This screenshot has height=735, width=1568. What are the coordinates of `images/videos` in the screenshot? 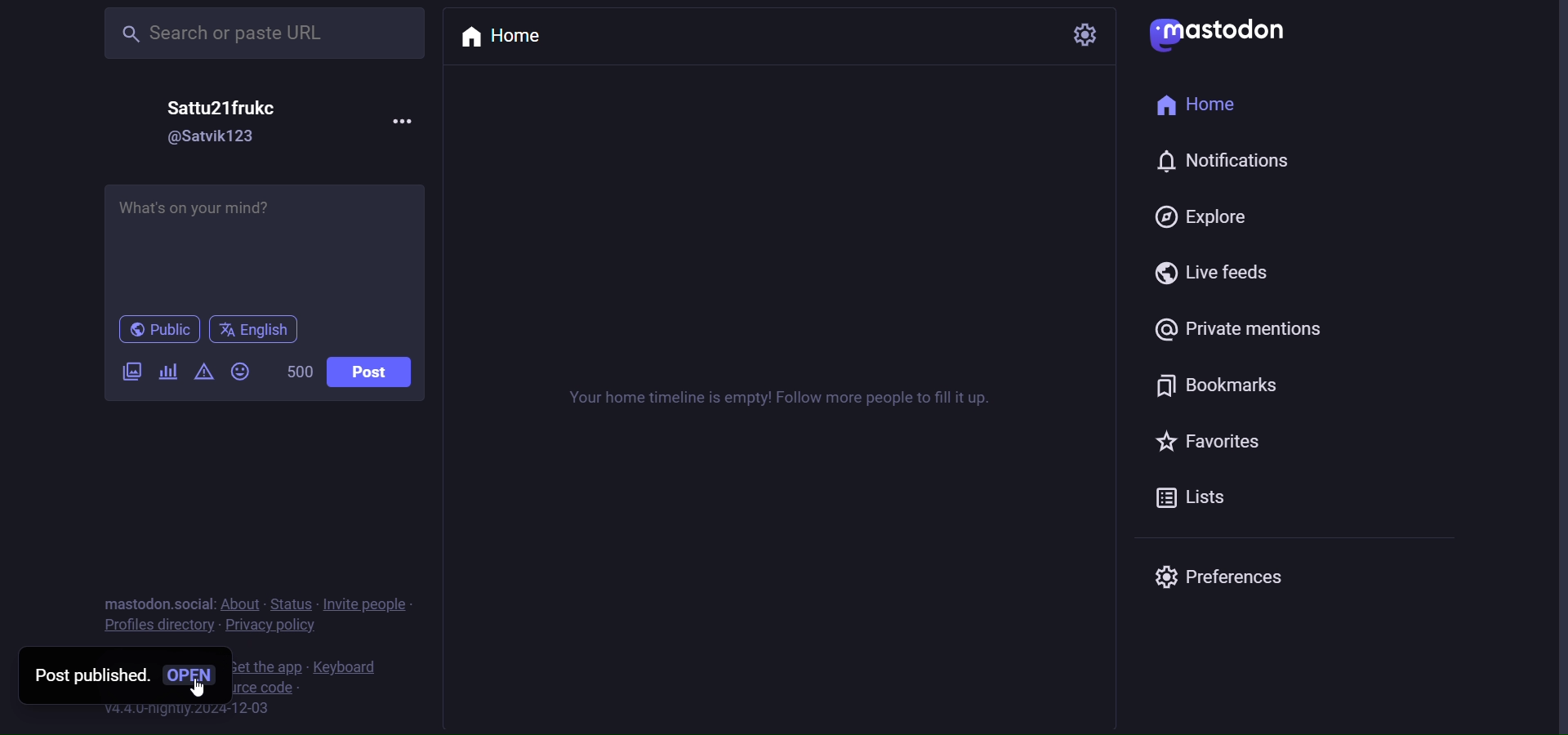 It's located at (127, 372).